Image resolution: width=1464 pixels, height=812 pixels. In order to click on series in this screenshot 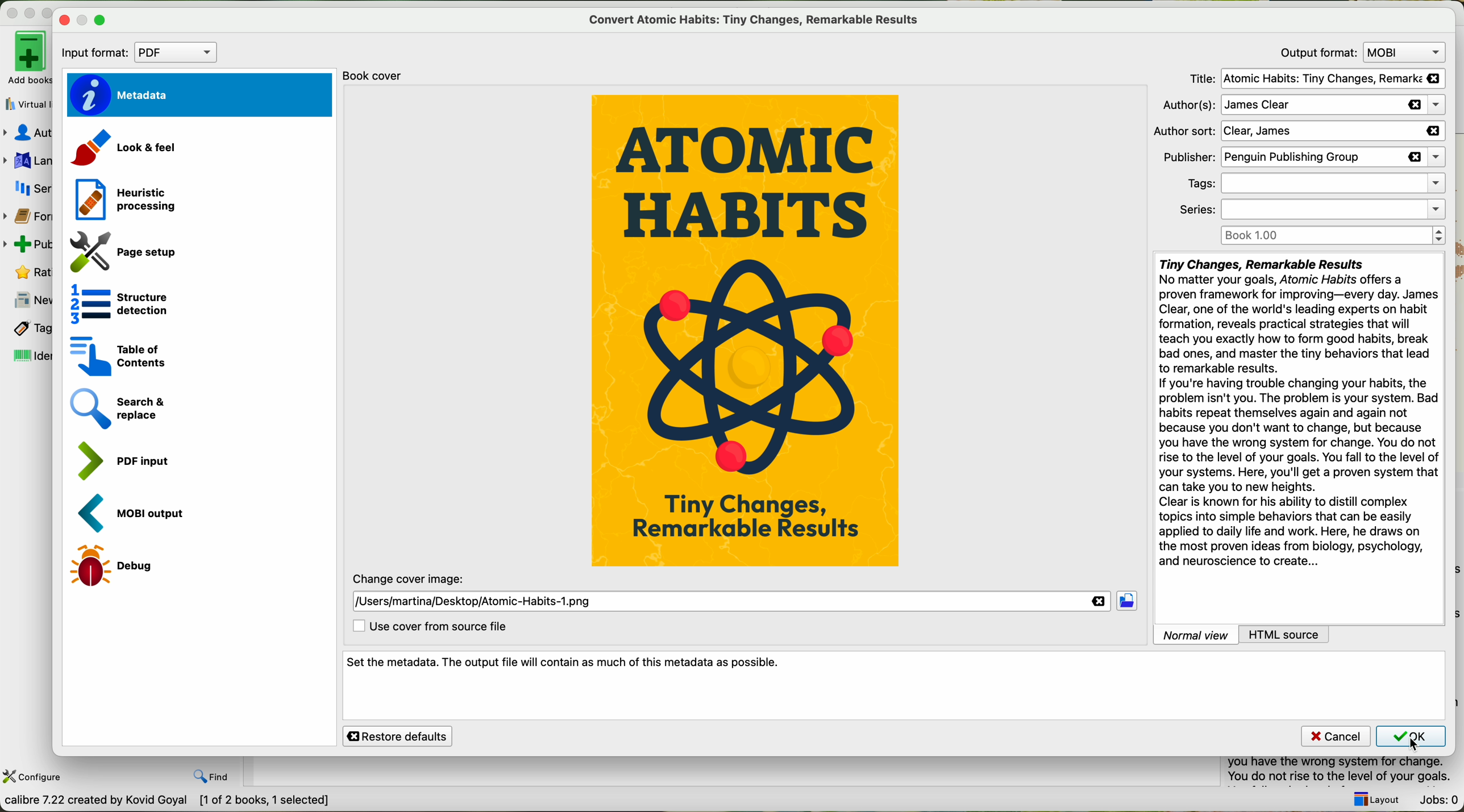, I will do `click(1307, 210)`.